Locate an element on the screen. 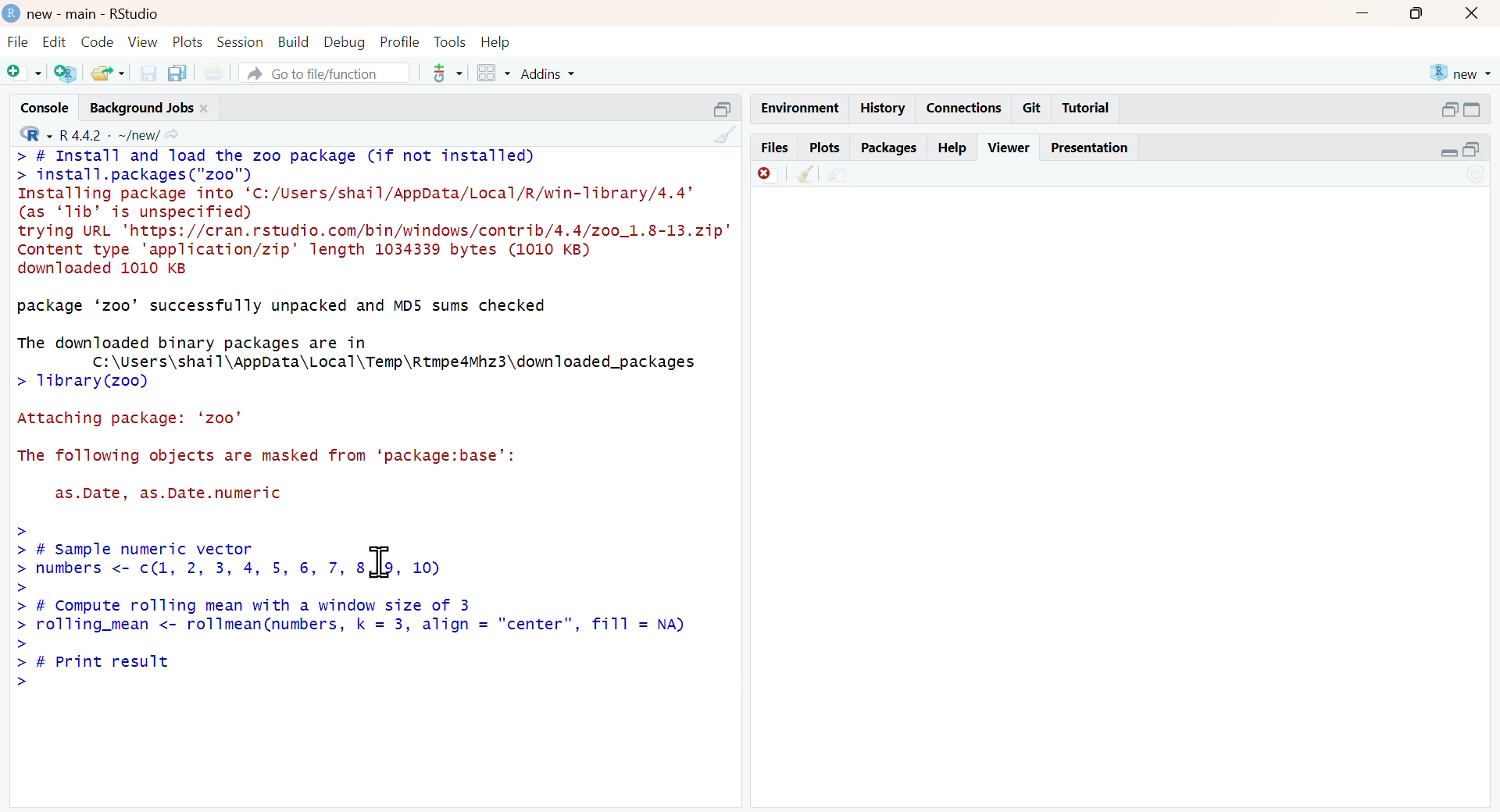 The width and height of the screenshot is (1500, 812). R 4.4.2 ~/new/ is located at coordinates (111, 134).